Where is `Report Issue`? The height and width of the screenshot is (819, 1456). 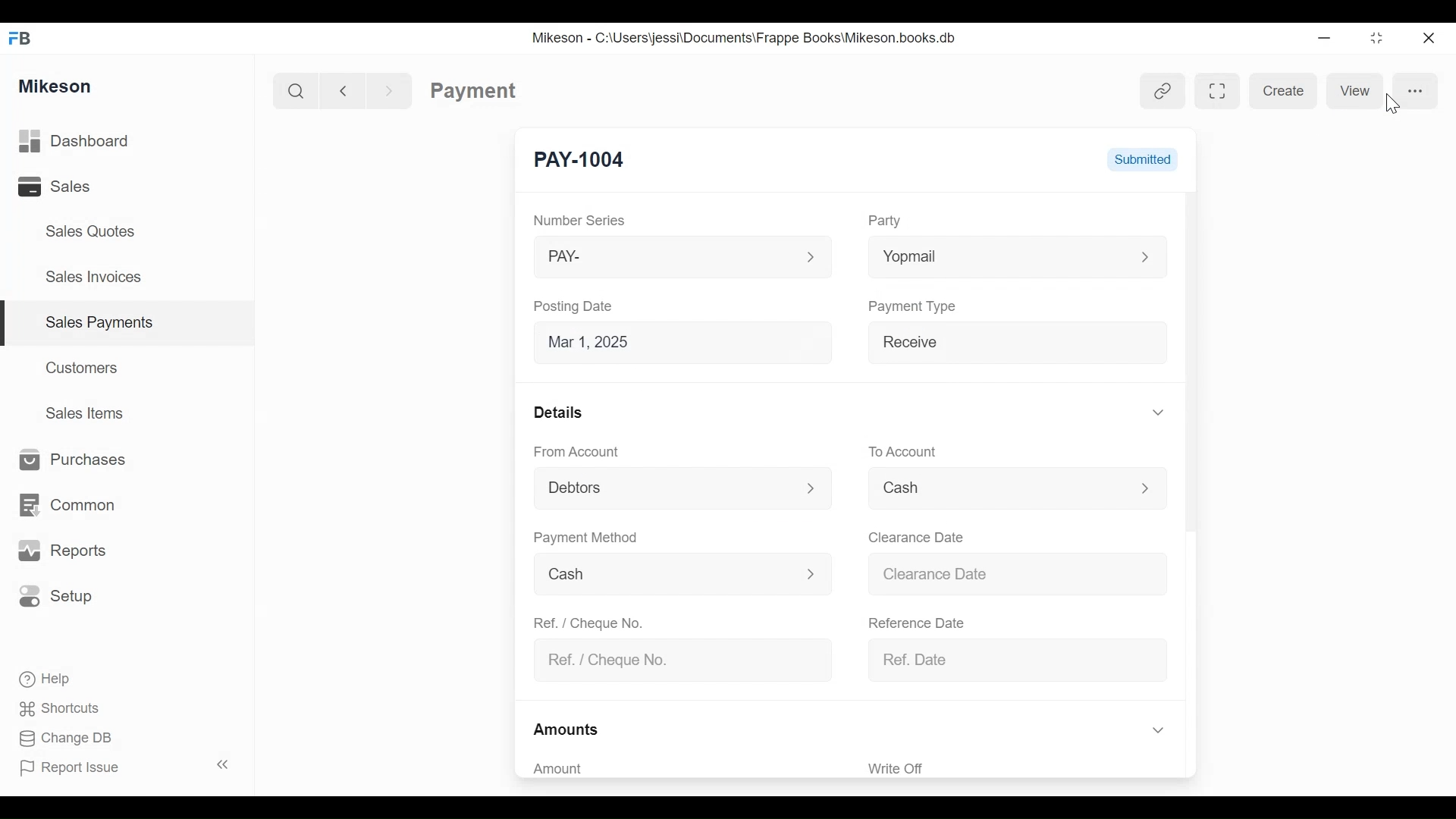
Report Issue is located at coordinates (77, 768).